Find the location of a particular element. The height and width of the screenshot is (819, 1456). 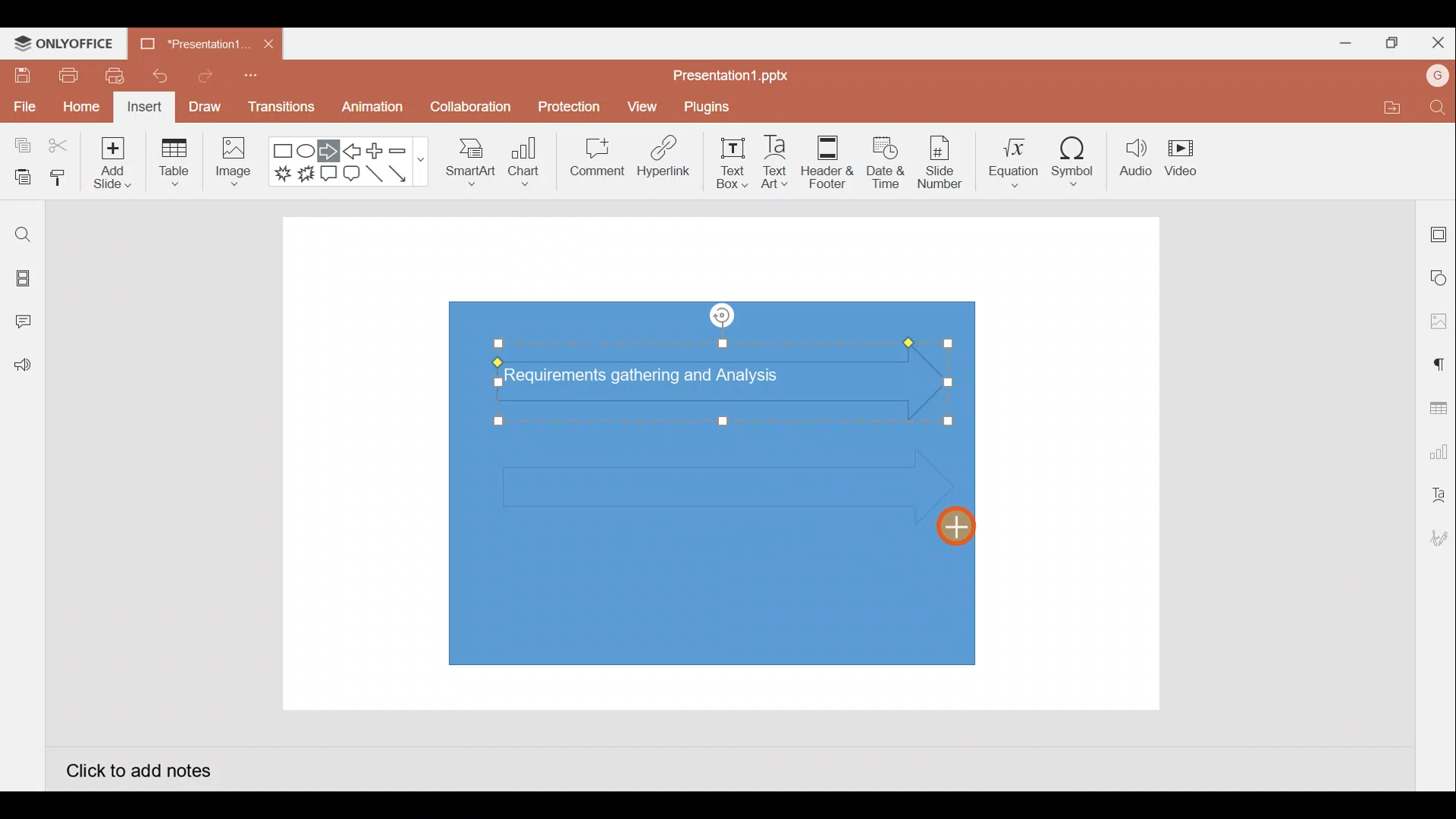

Comment is located at coordinates (591, 160).